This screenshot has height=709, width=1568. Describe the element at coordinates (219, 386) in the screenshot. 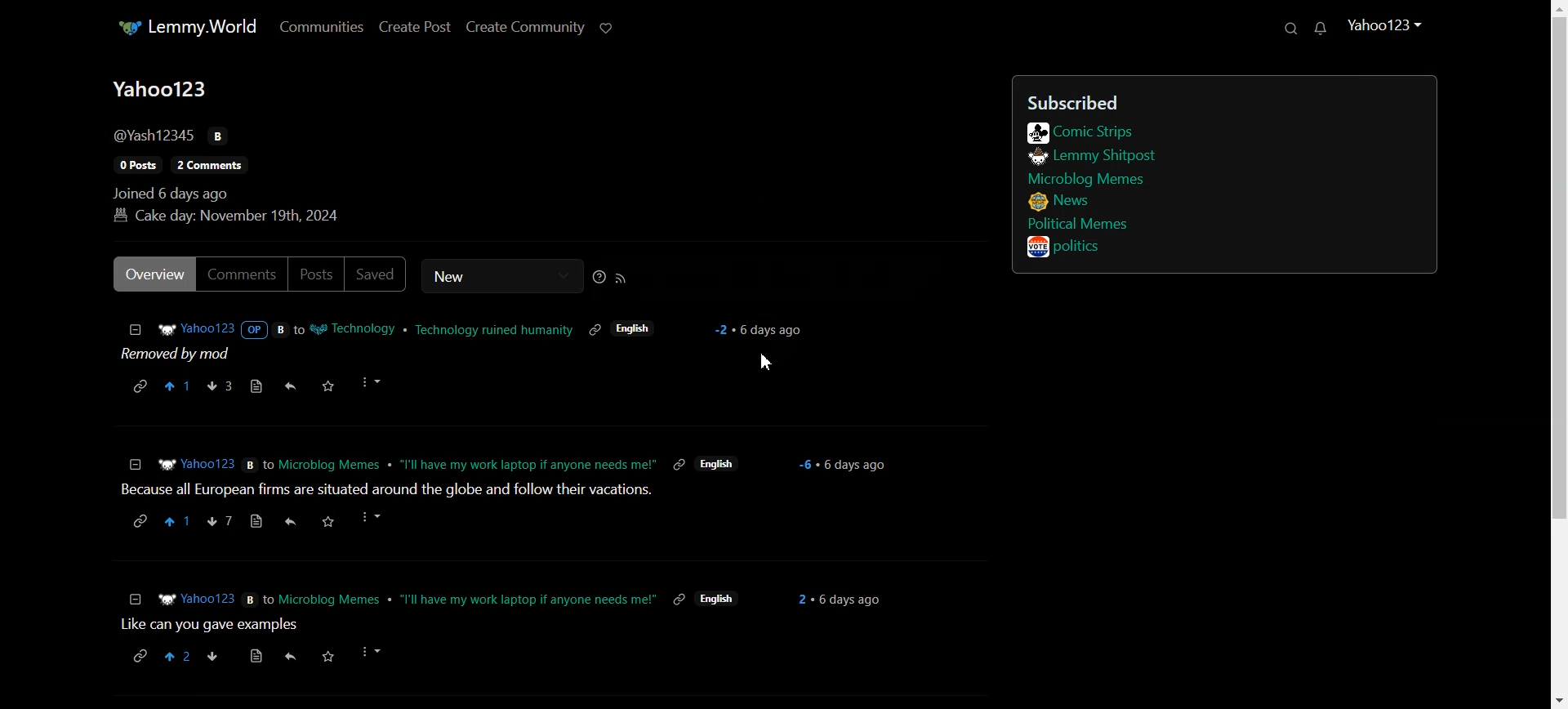

I see `Downvote` at that location.